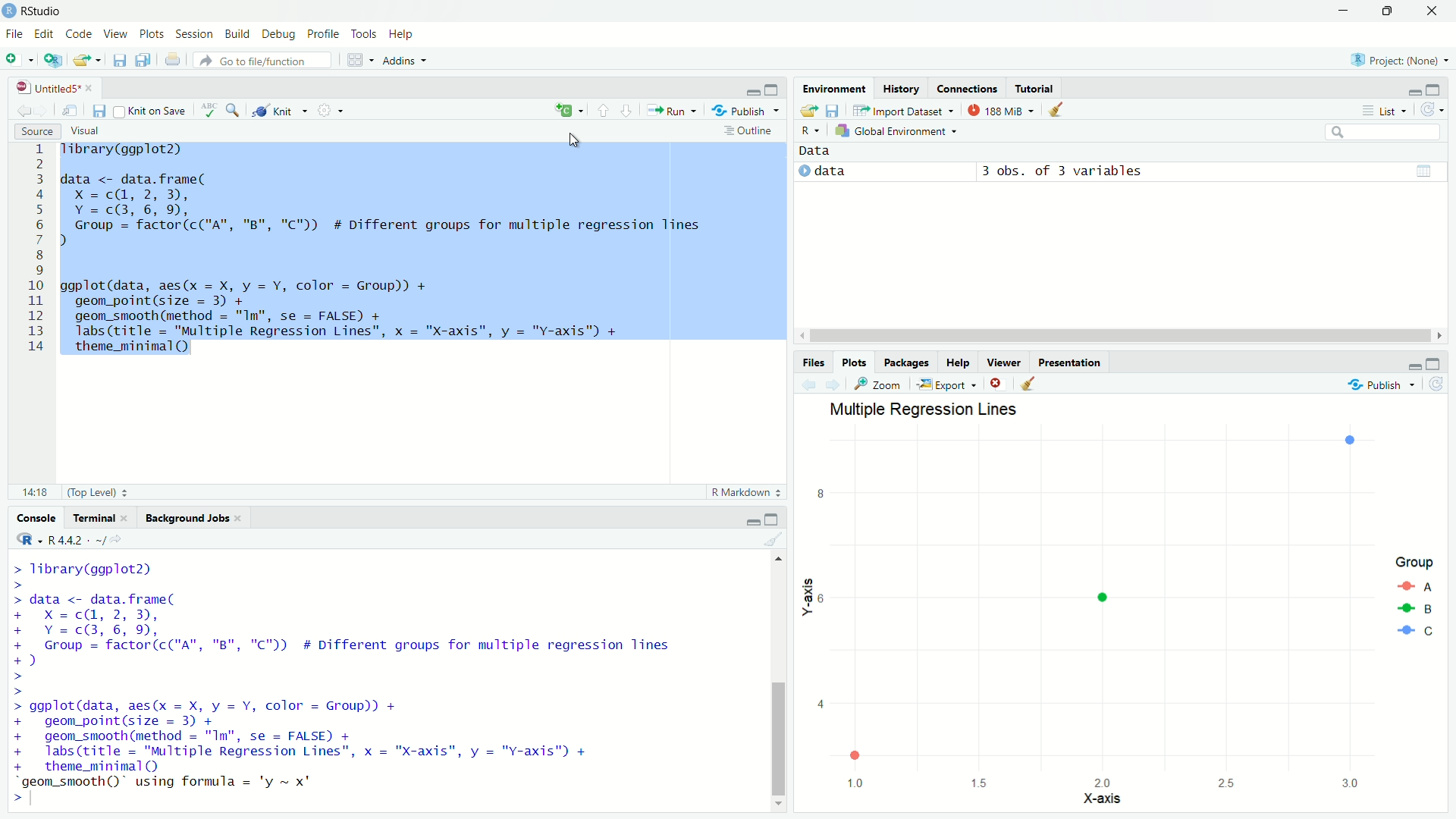 The width and height of the screenshot is (1456, 819). What do you see at coordinates (1410, 91) in the screenshot?
I see `minimise` at bounding box center [1410, 91].